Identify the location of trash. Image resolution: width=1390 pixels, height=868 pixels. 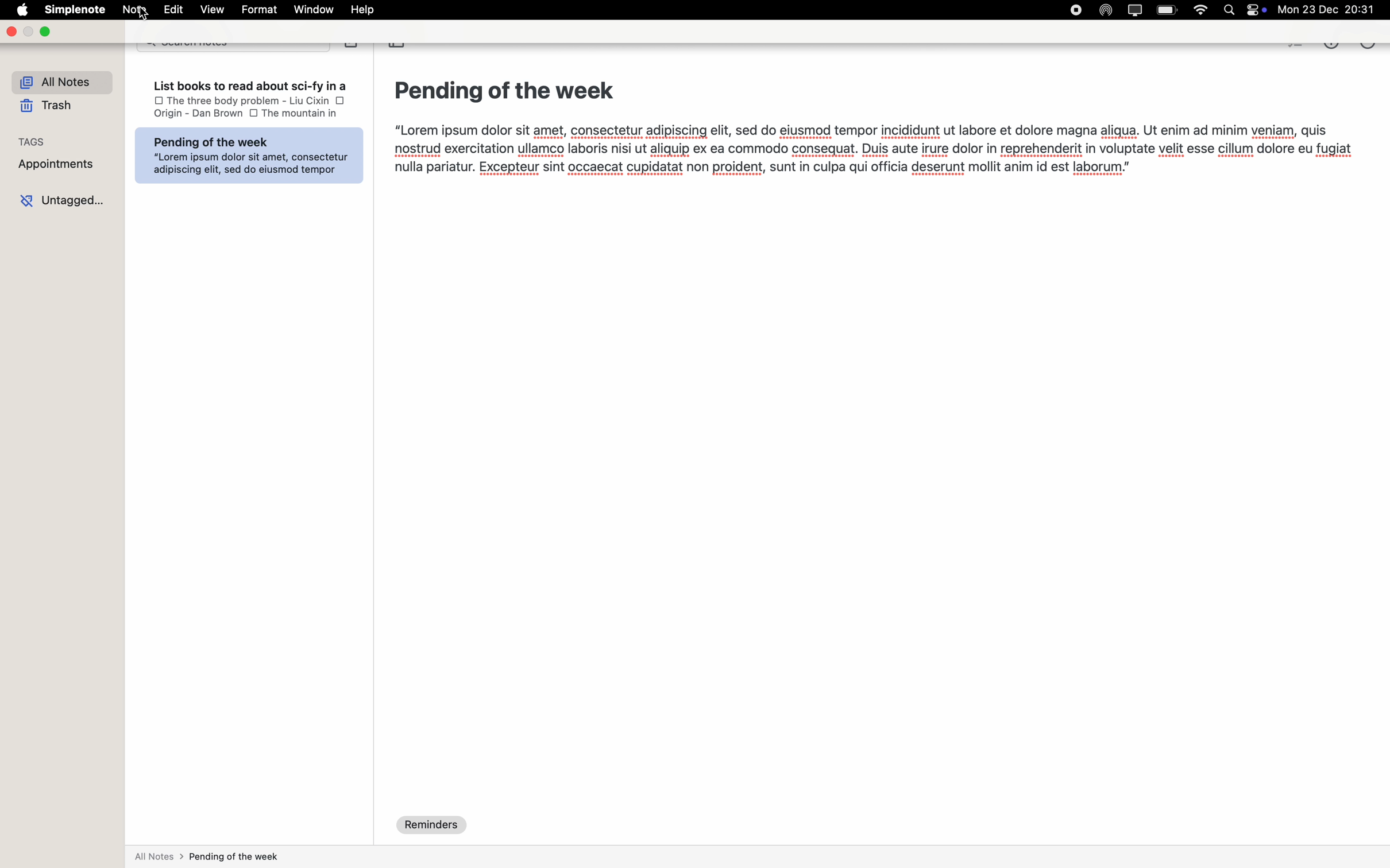
(46, 109).